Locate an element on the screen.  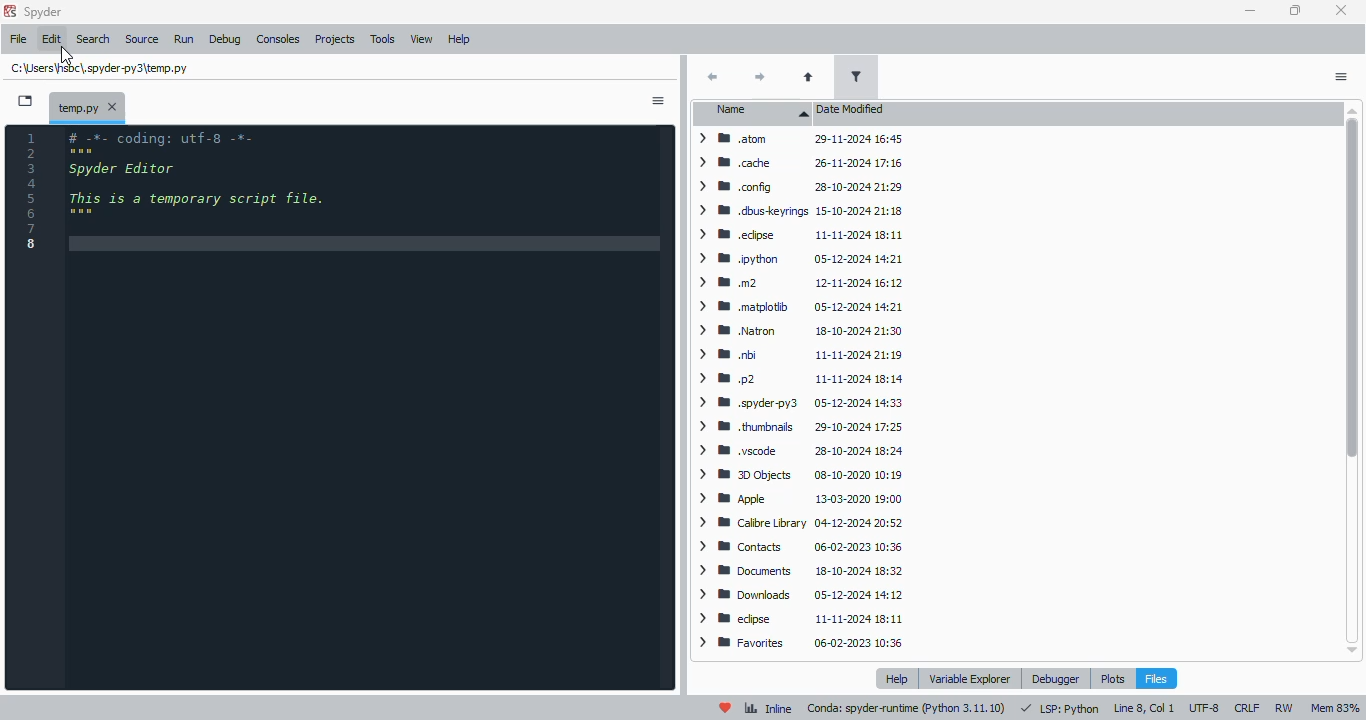
consoles is located at coordinates (277, 39).